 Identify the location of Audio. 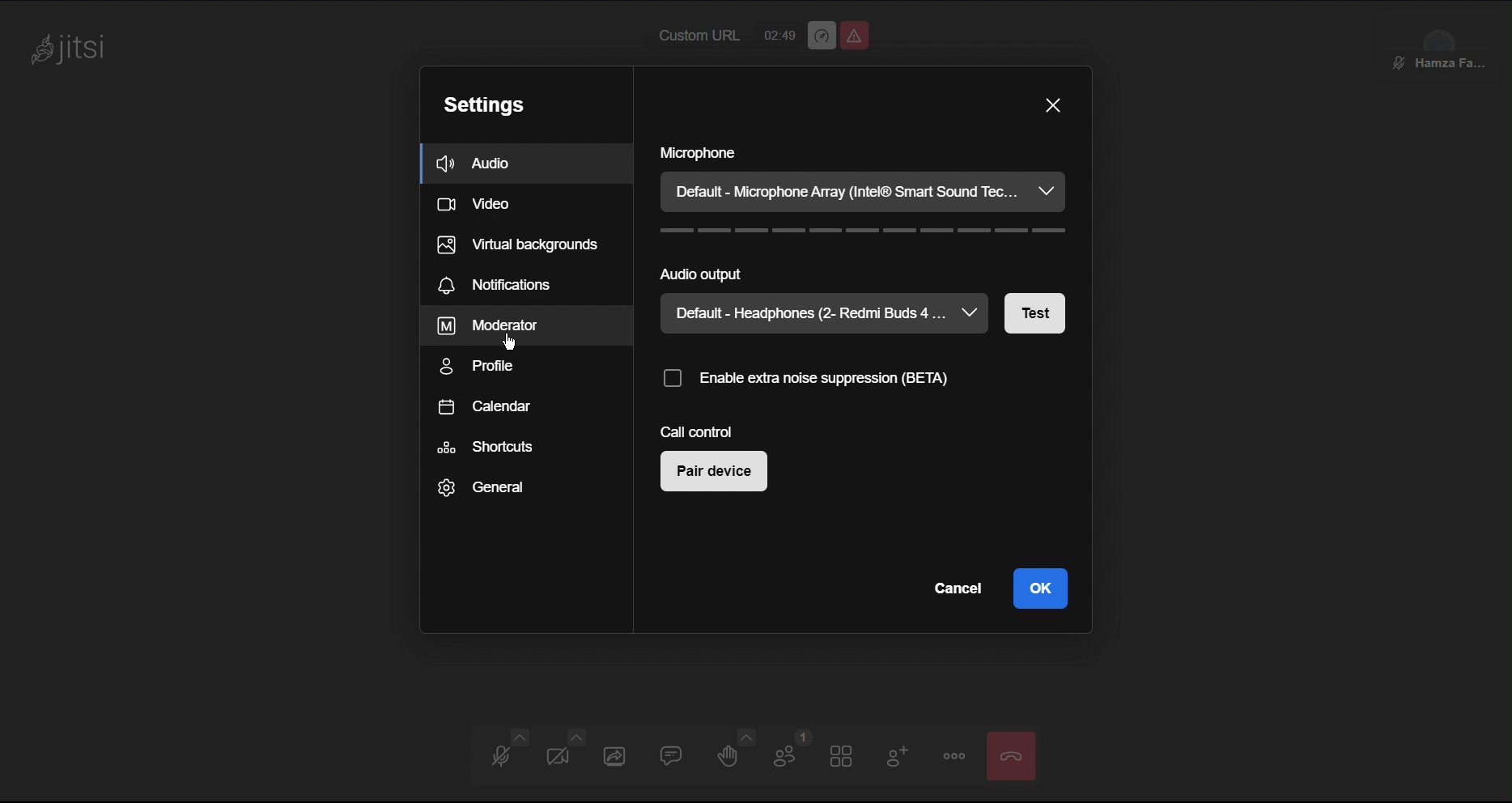
(495, 164).